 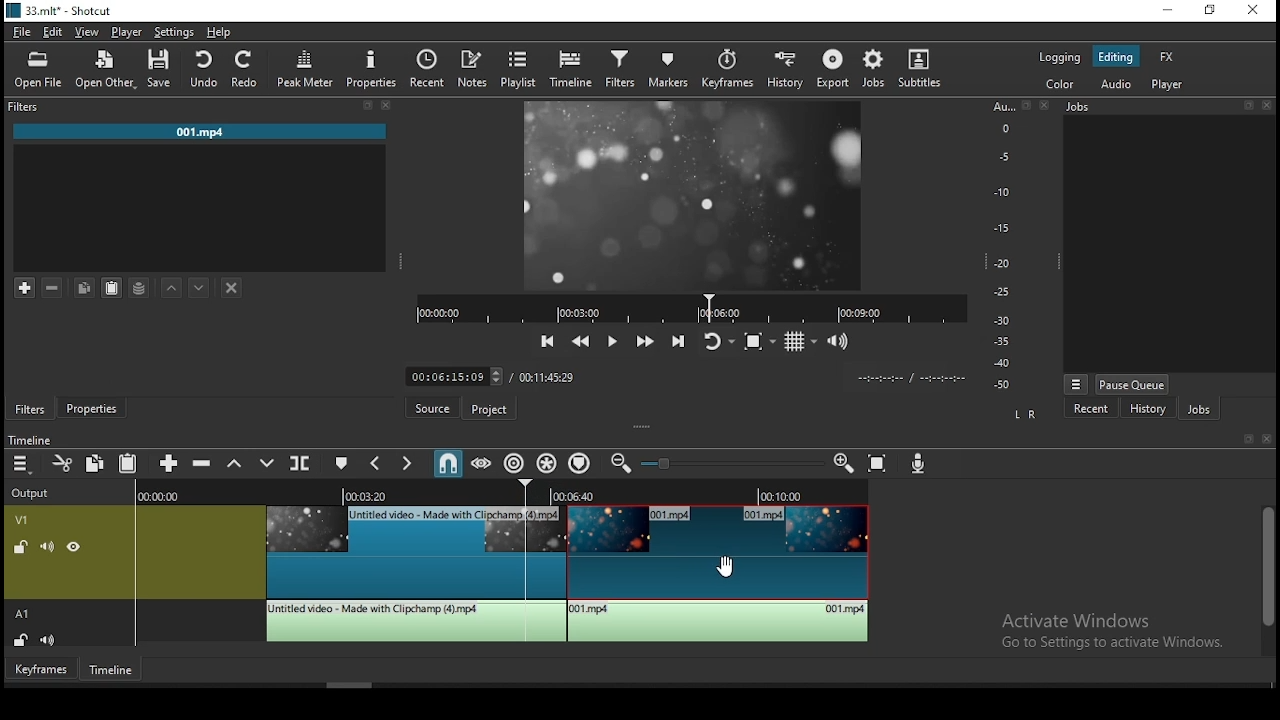 What do you see at coordinates (919, 462) in the screenshot?
I see `record audio` at bounding box center [919, 462].